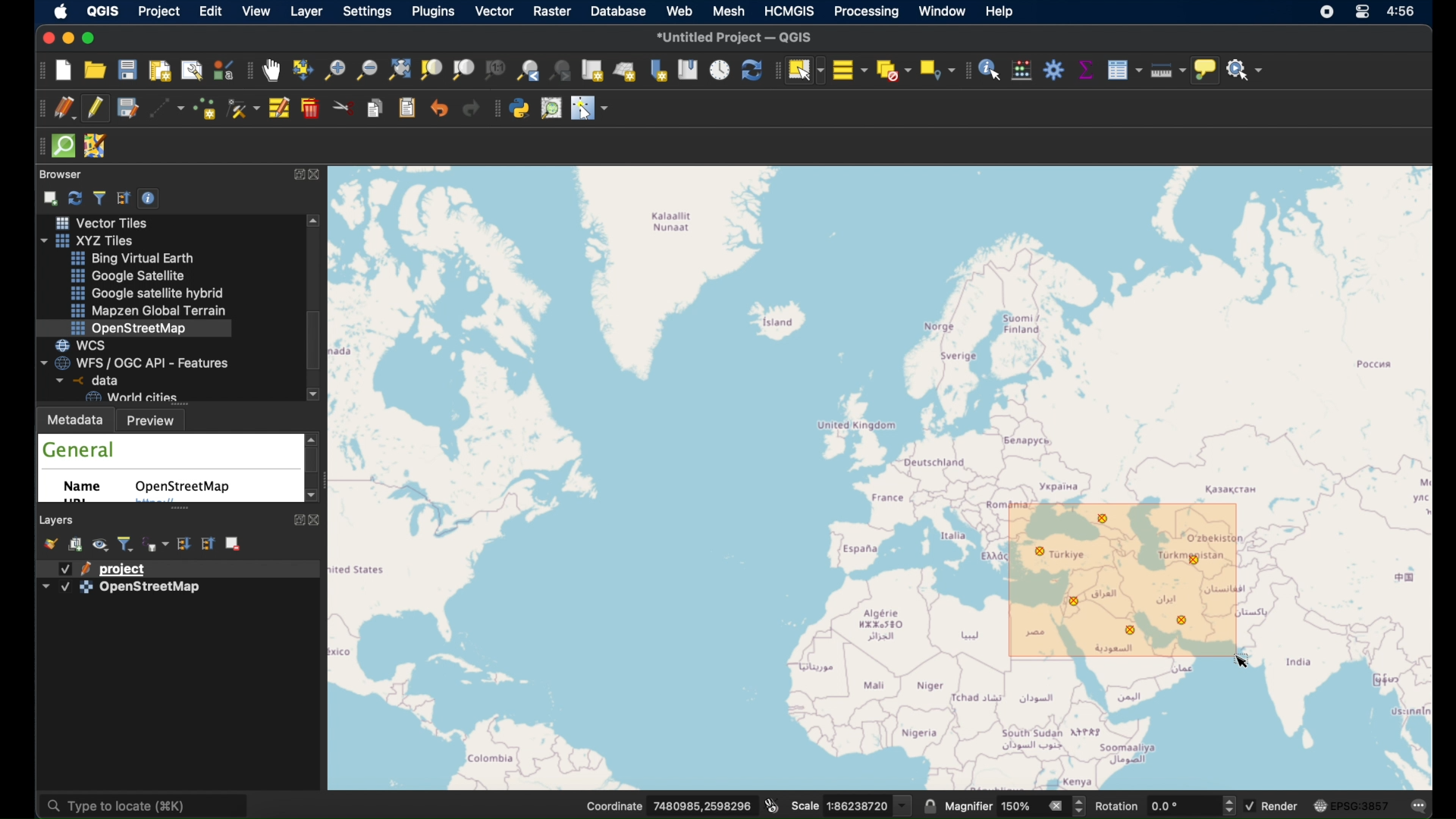  I want to click on mesh, so click(727, 10).